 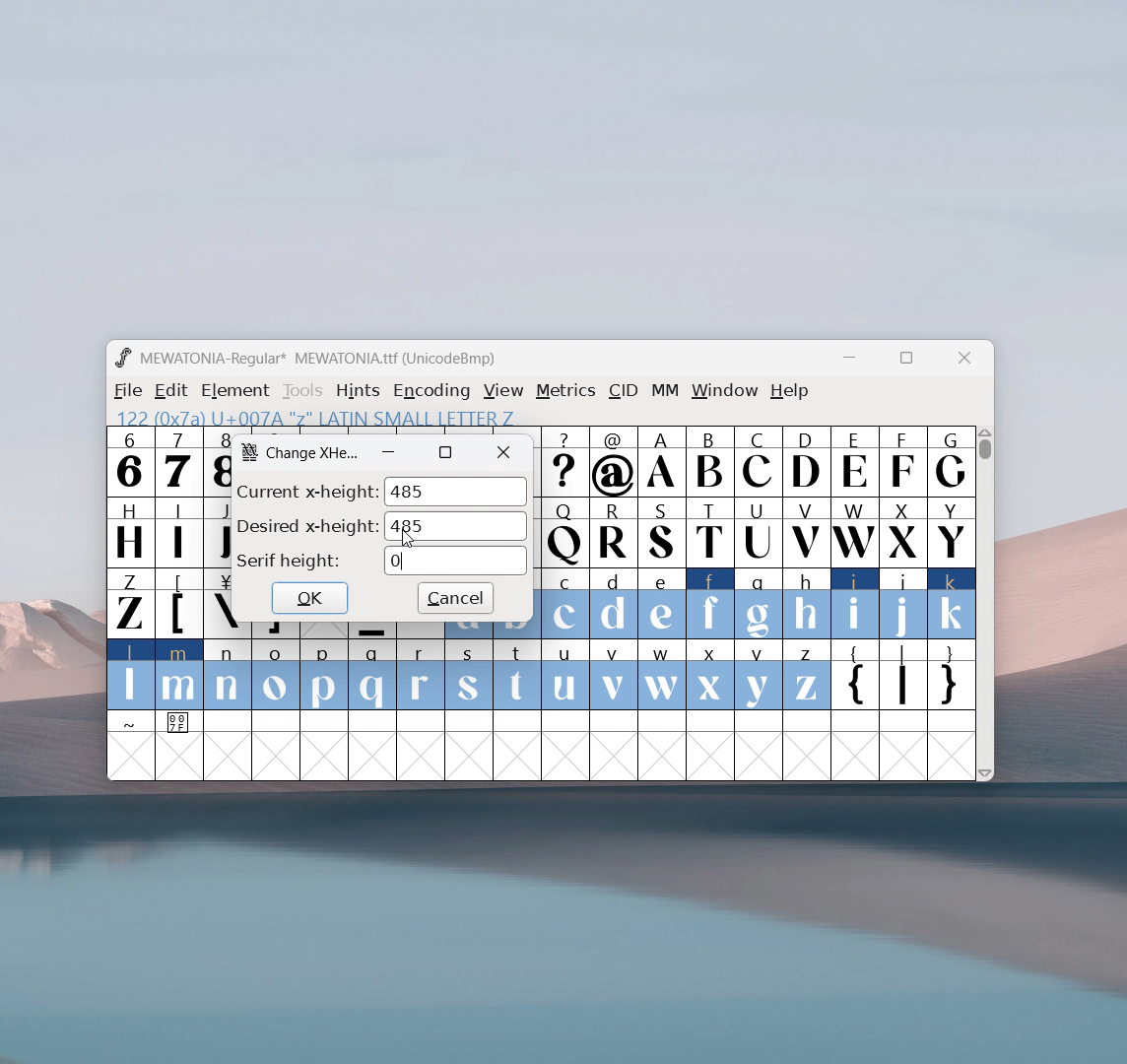 What do you see at coordinates (855, 604) in the screenshot?
I see `i` at bounding box center [855, 604].